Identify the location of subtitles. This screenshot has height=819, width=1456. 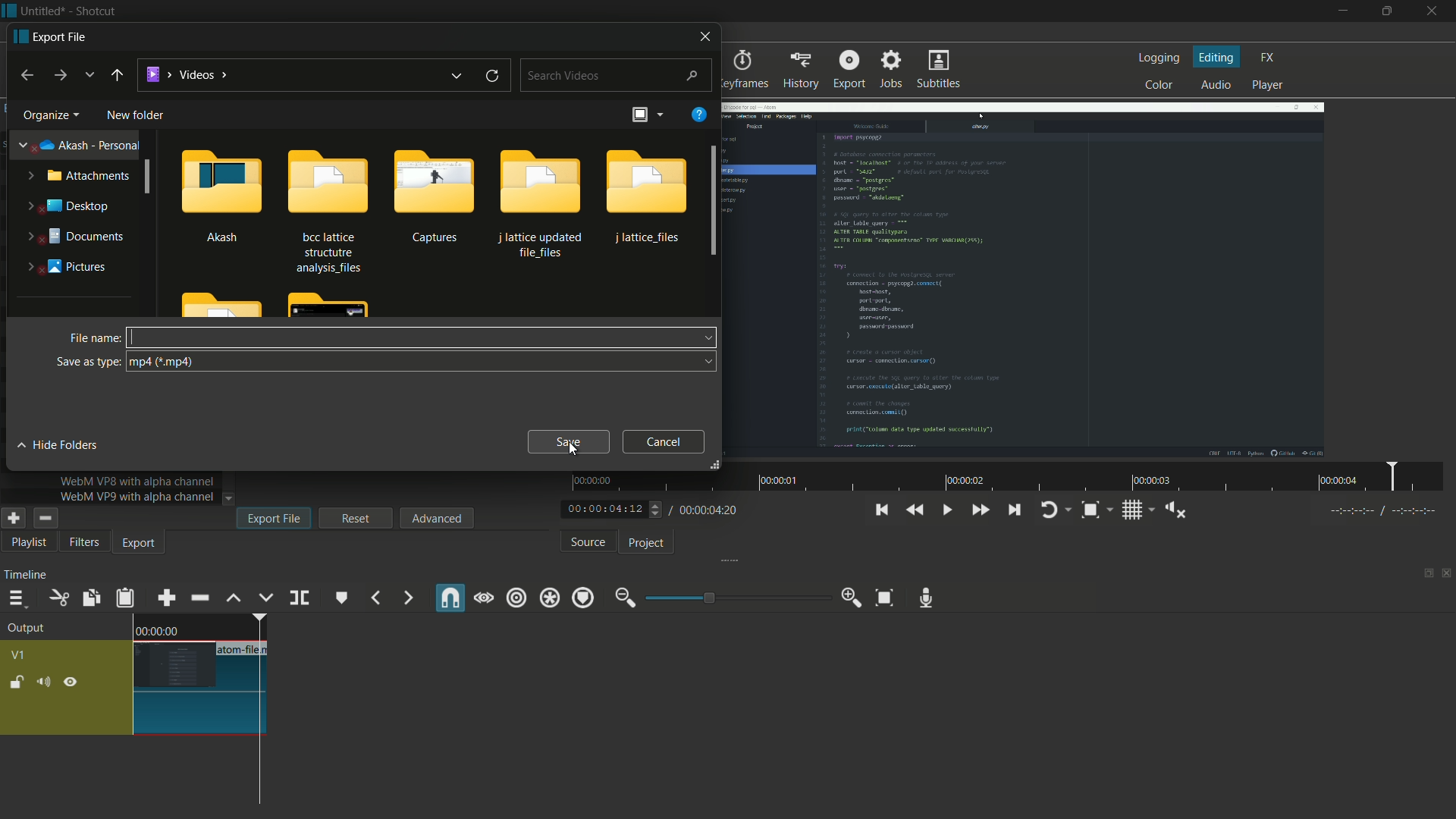
(937, 68).